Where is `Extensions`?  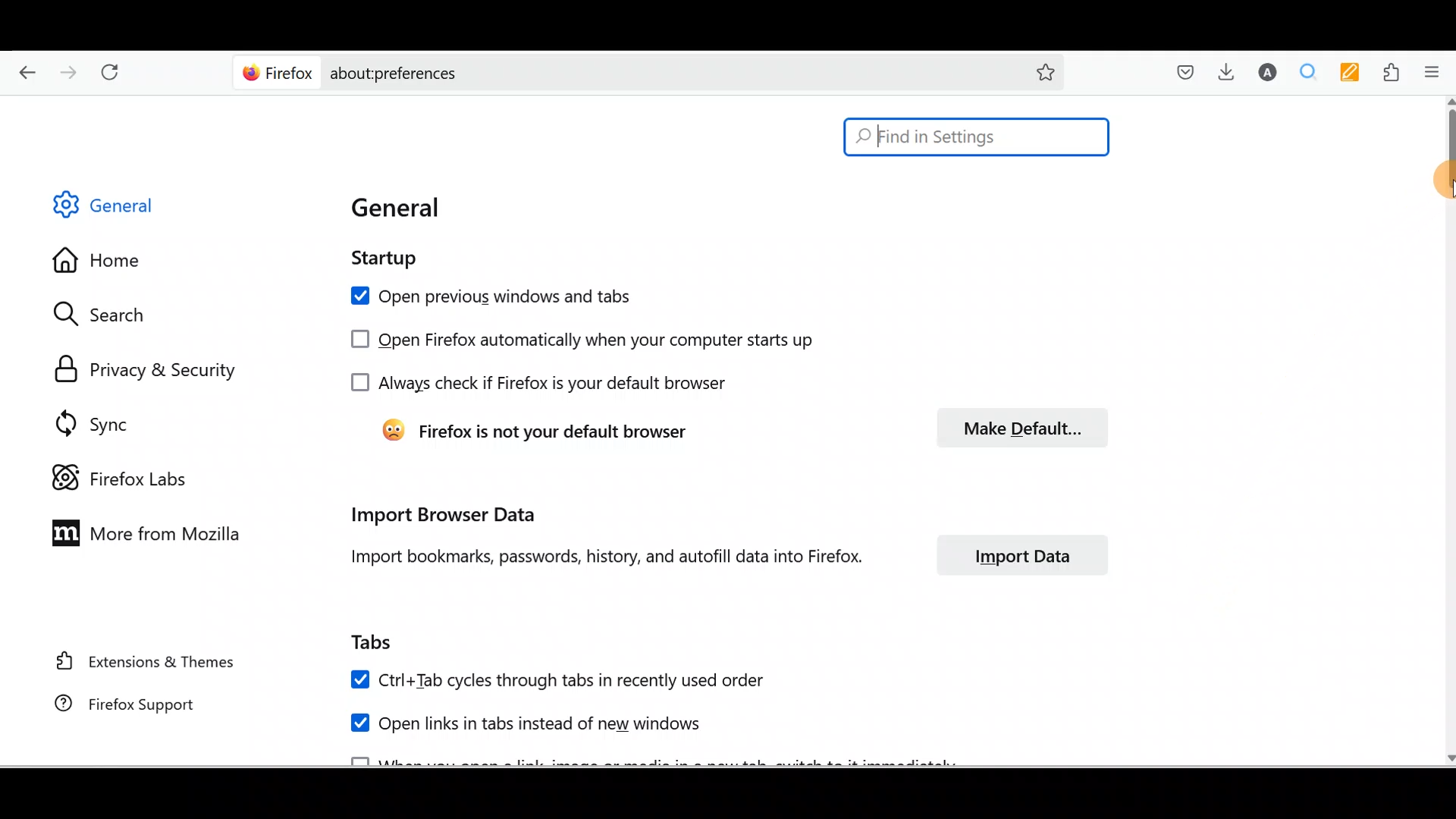
Extensions is located at coordinates (1395, 73).